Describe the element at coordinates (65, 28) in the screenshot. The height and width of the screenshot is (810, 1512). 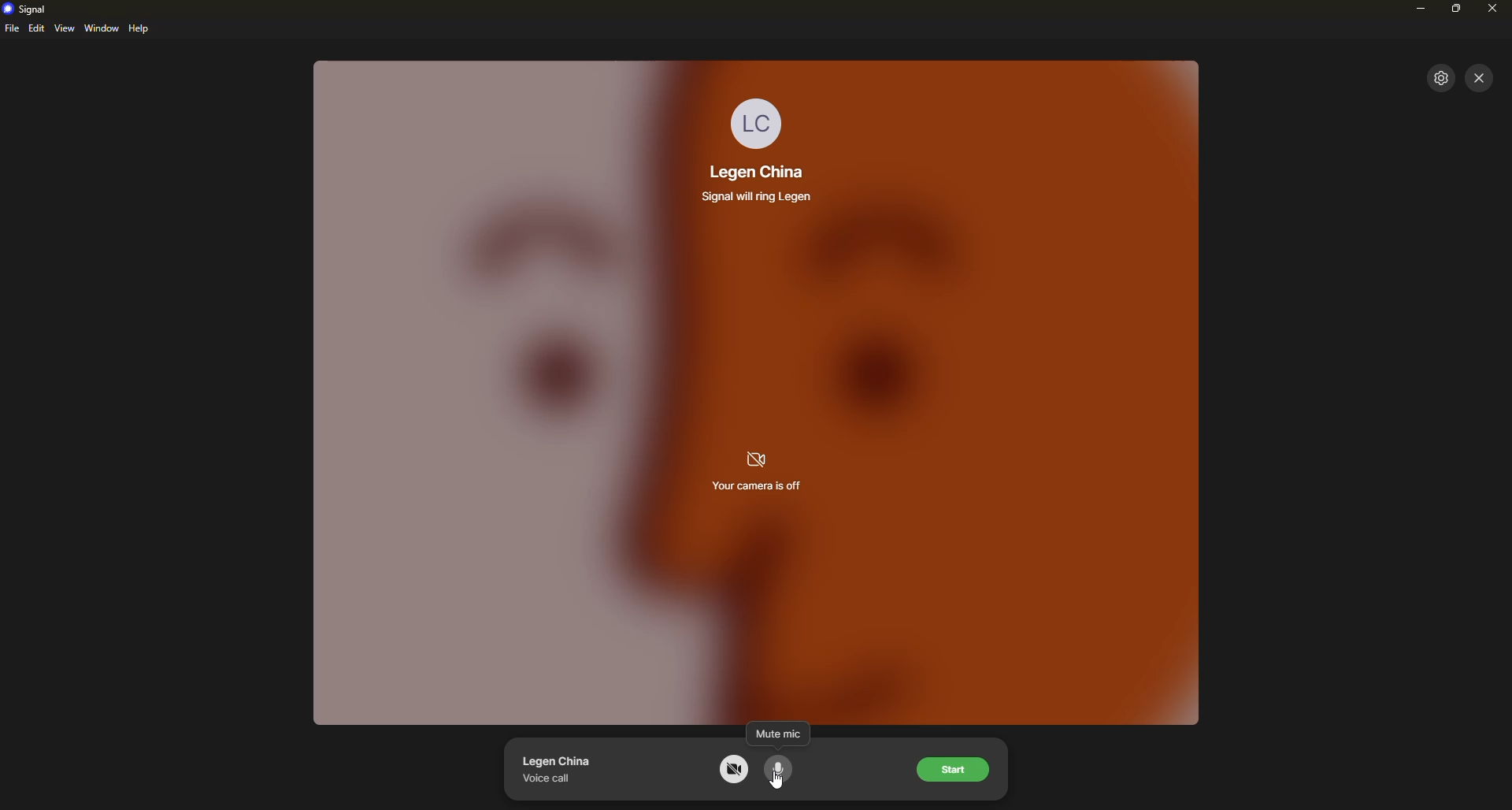
I see `view` at that location.